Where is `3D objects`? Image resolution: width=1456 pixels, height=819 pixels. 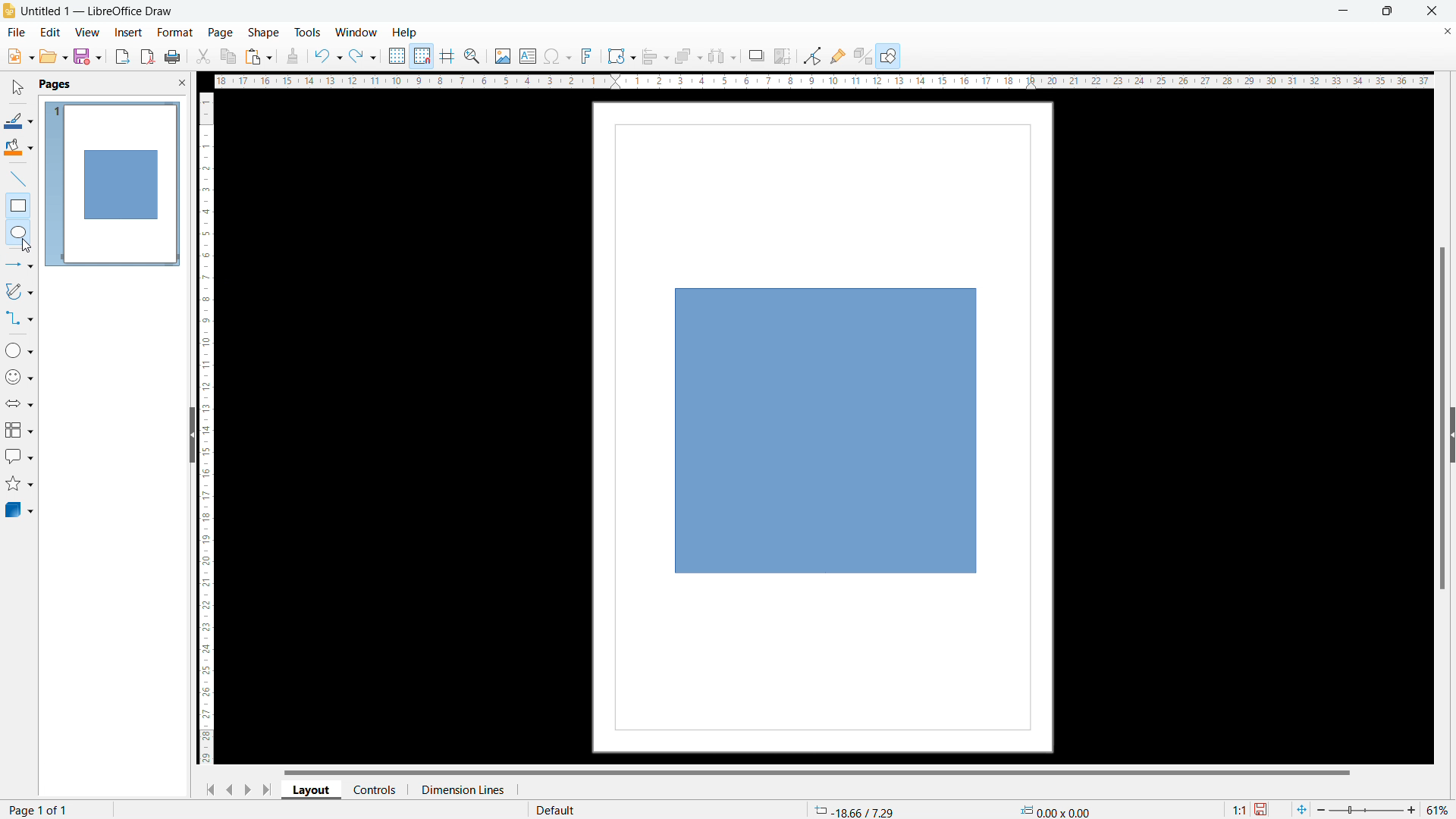
3D objects is located at coordinates (18, 509).